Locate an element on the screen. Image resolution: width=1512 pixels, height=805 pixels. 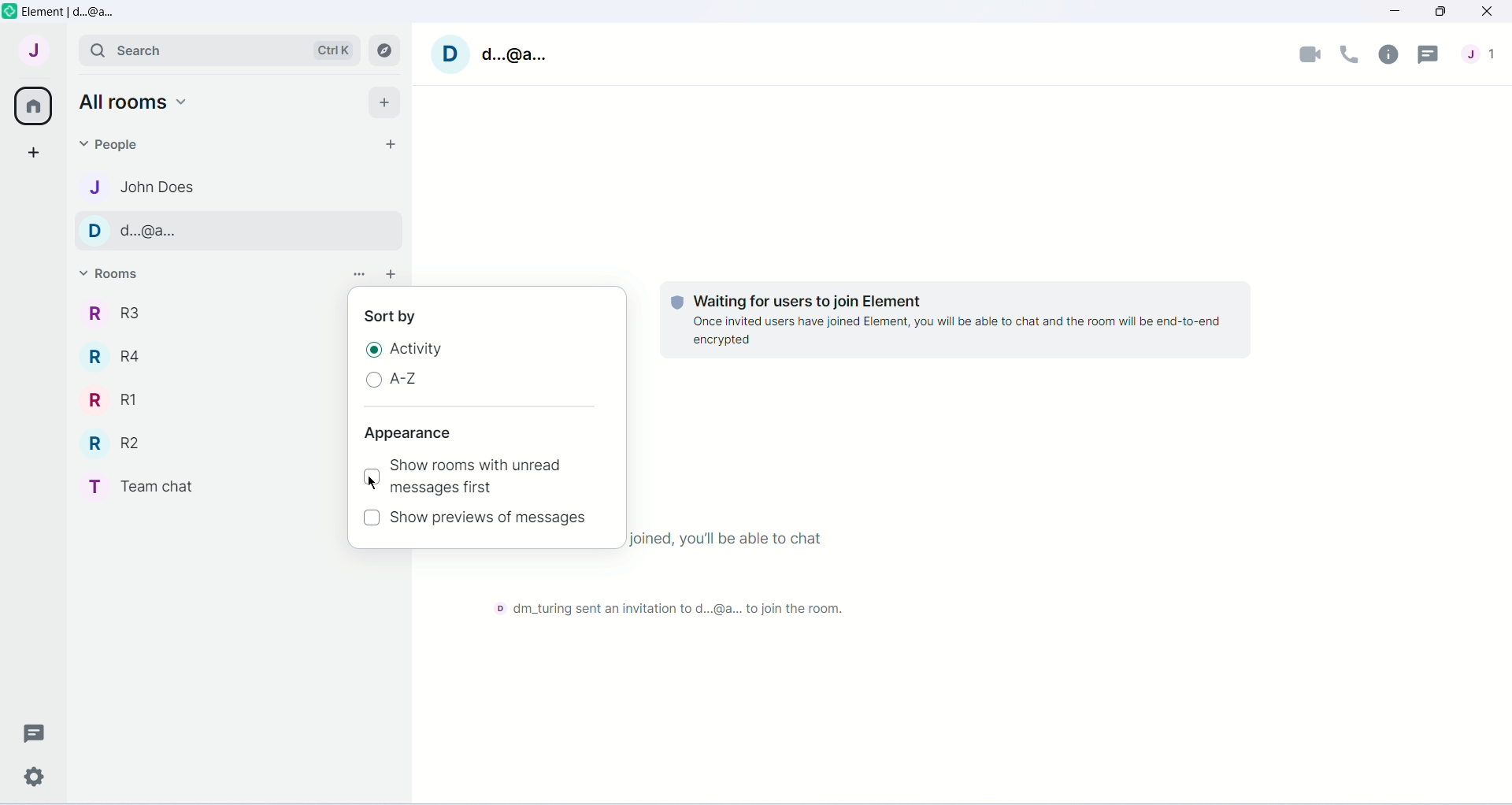
Explore rooms is located at coordinates (386, 51).